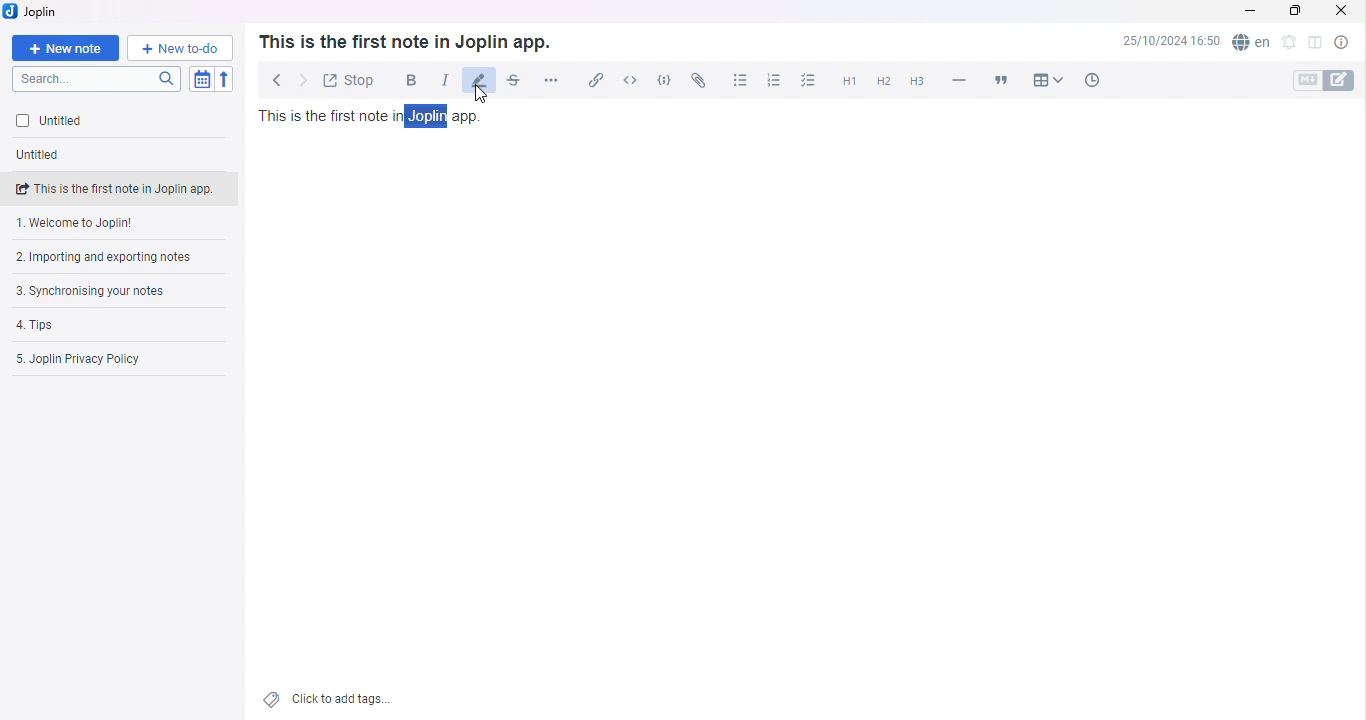  What do you see at coordinates (1088, 79) in the screenshot?
I see `Insert time` at bounding box center [1088, 79].